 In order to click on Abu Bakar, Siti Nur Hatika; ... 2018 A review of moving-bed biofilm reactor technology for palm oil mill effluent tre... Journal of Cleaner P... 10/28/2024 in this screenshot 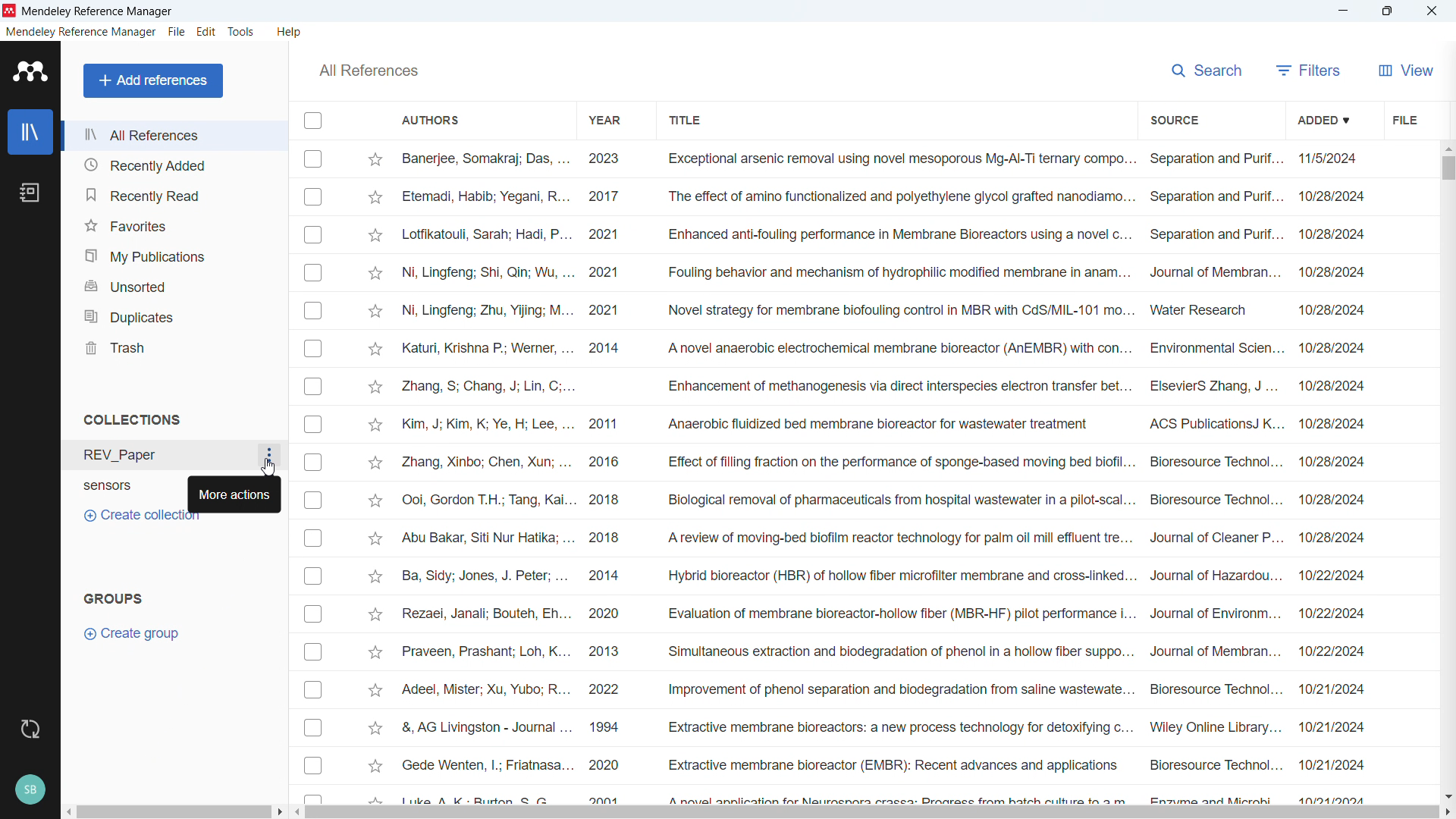, I will do `click(883, 537)`.